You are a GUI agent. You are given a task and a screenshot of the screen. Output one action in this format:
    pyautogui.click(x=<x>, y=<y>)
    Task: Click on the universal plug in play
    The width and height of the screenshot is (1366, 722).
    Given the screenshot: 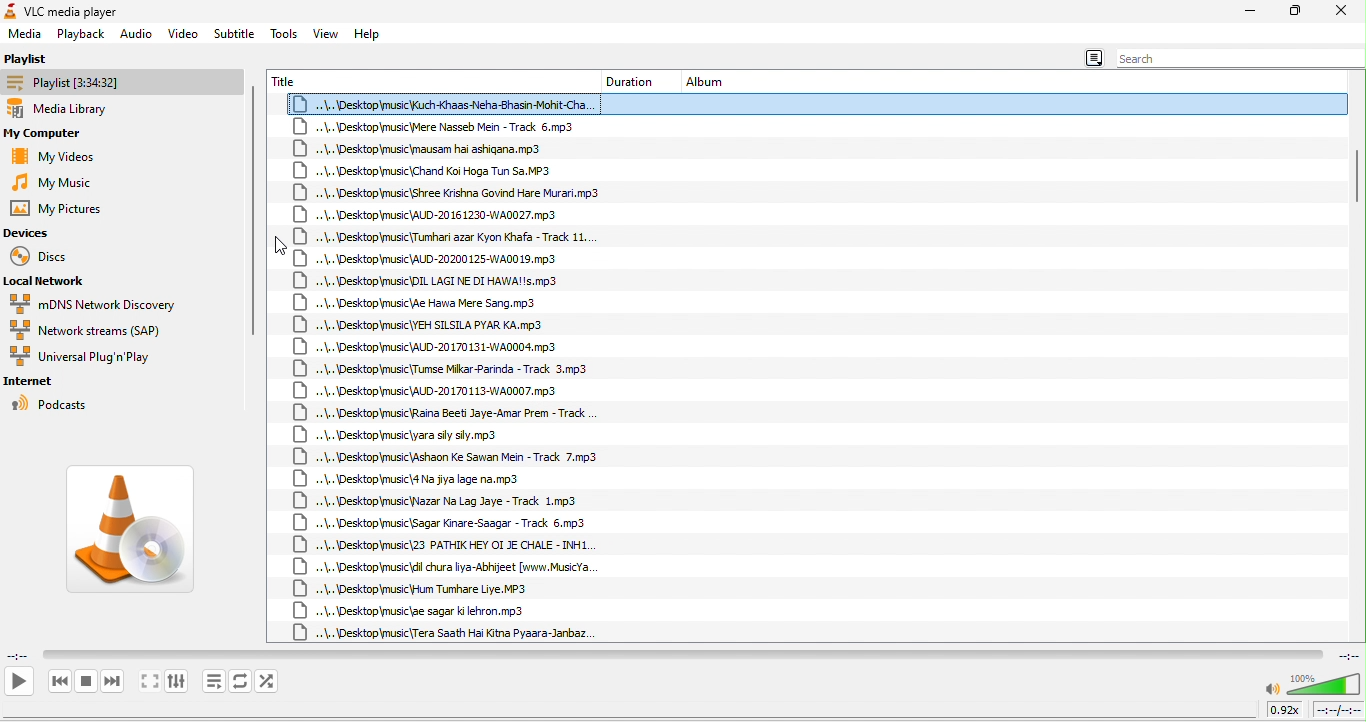 What is the action you would take?
    pyautogui.click(x=89, y=357)
    